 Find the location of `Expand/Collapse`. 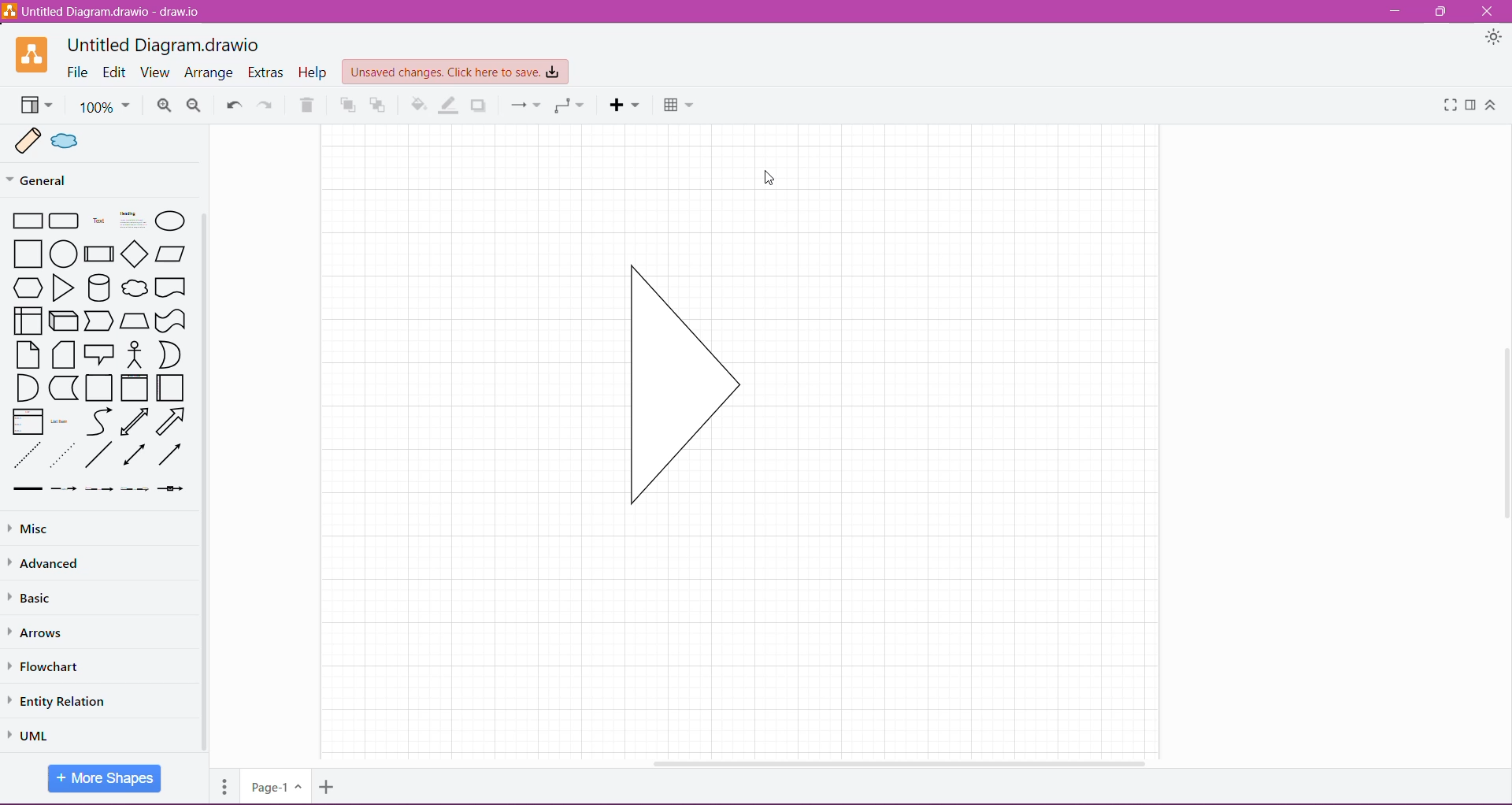

Expand/Collapse is located at coordinates (1495, 106).